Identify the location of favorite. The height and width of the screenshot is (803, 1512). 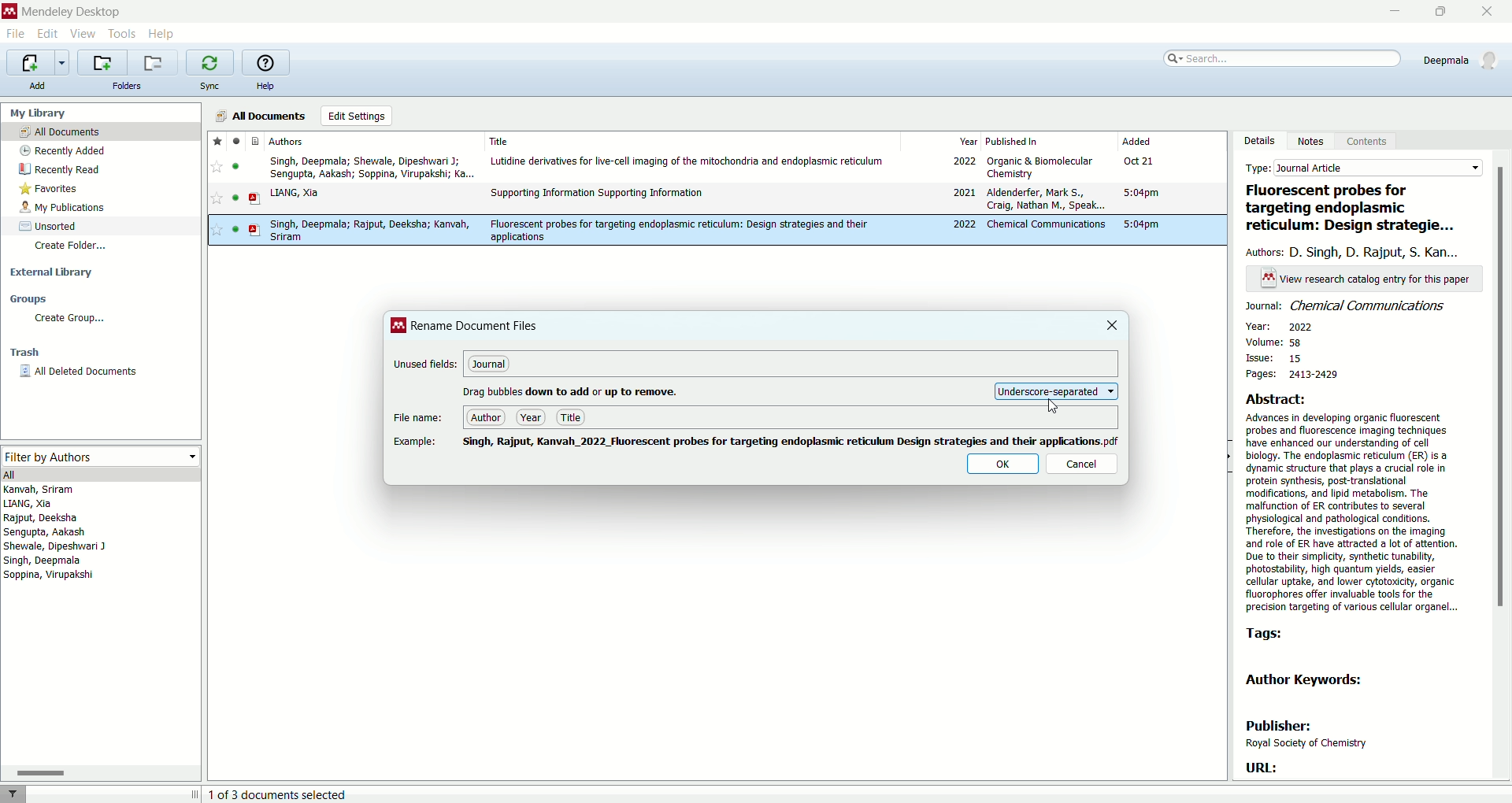
(217, 168).